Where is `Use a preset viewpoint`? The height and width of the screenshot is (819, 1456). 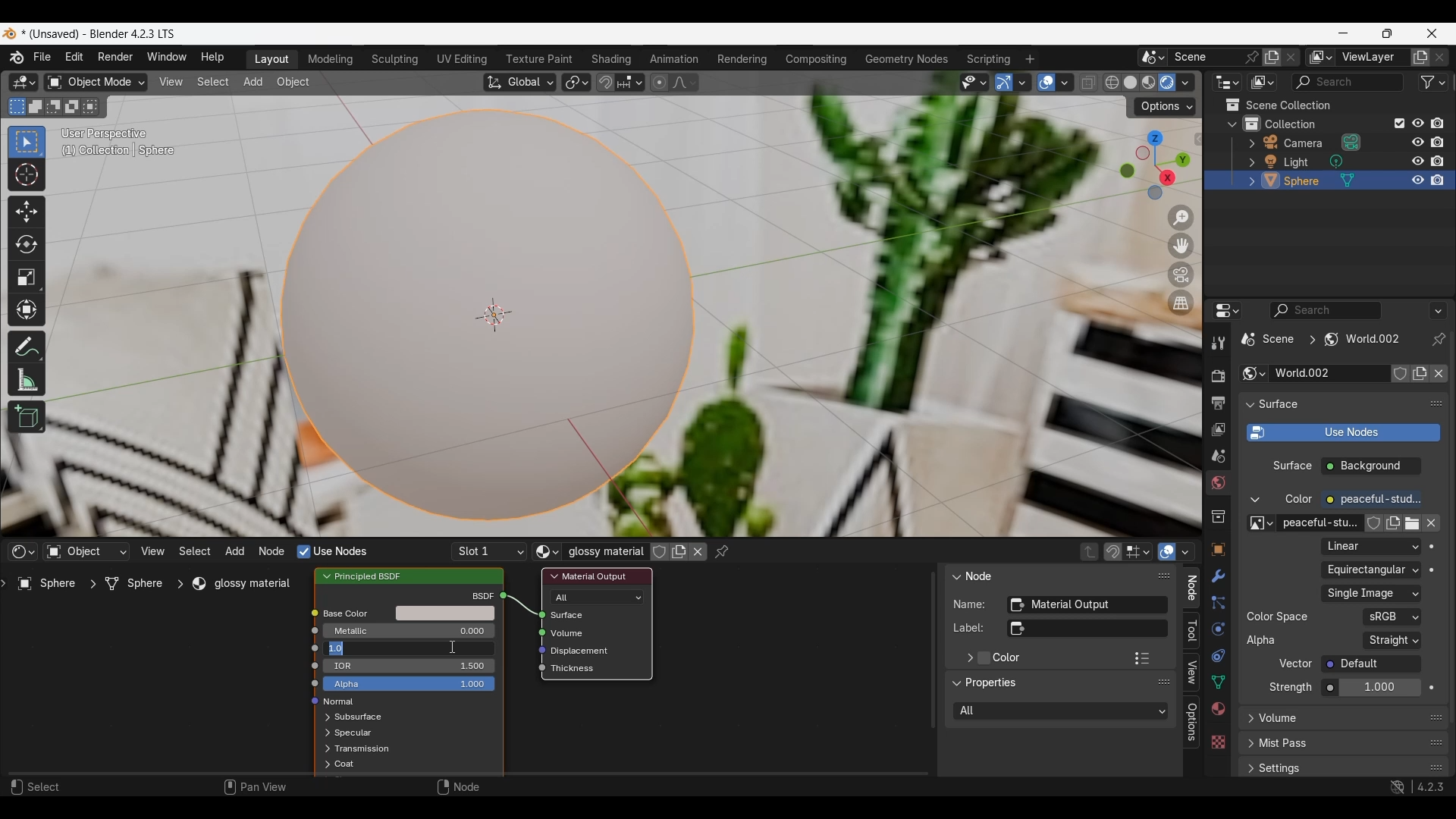 Use a preset viewpoint is located at coordinates (1154, 165).